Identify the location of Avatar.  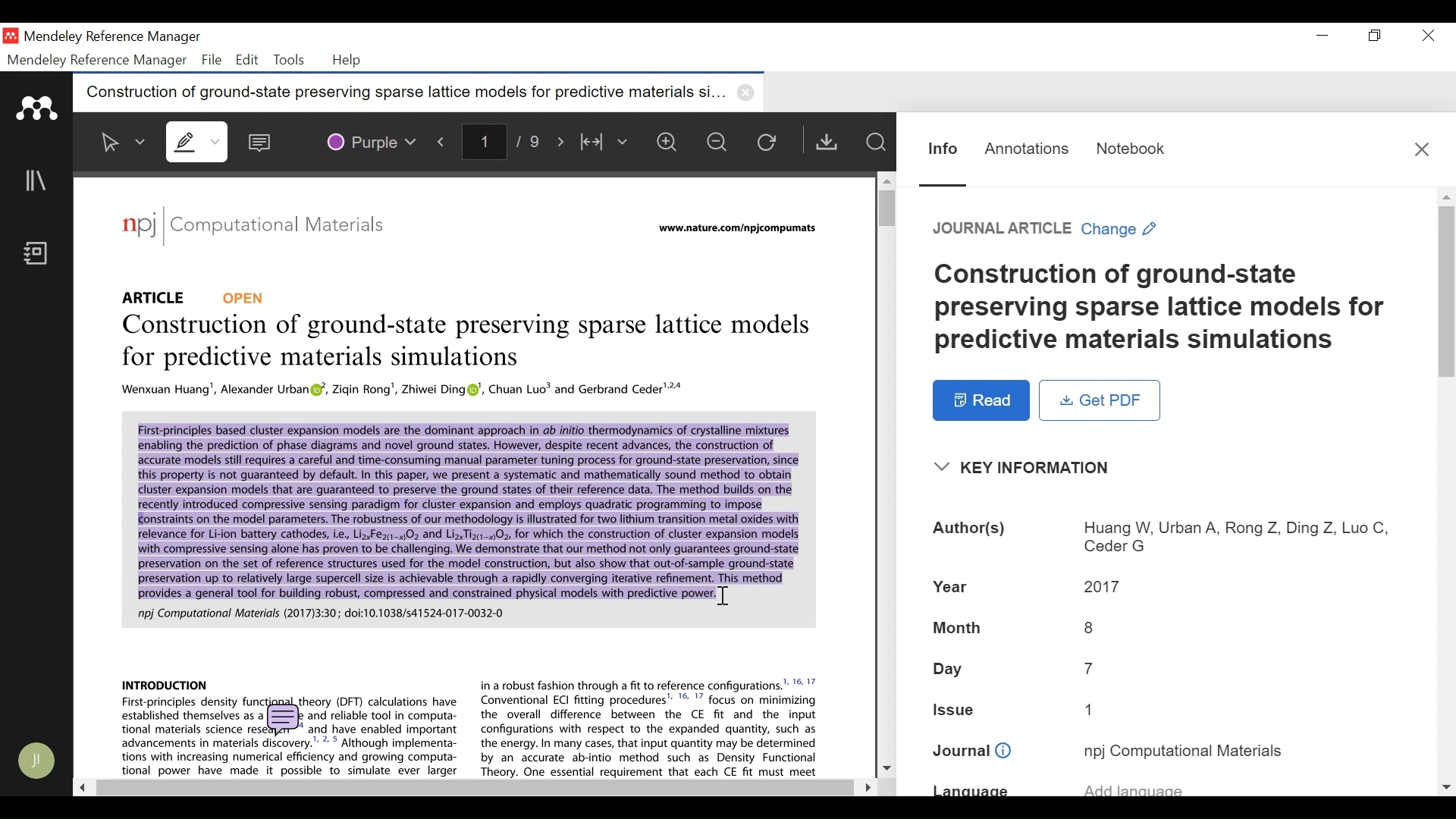
(38, 761).